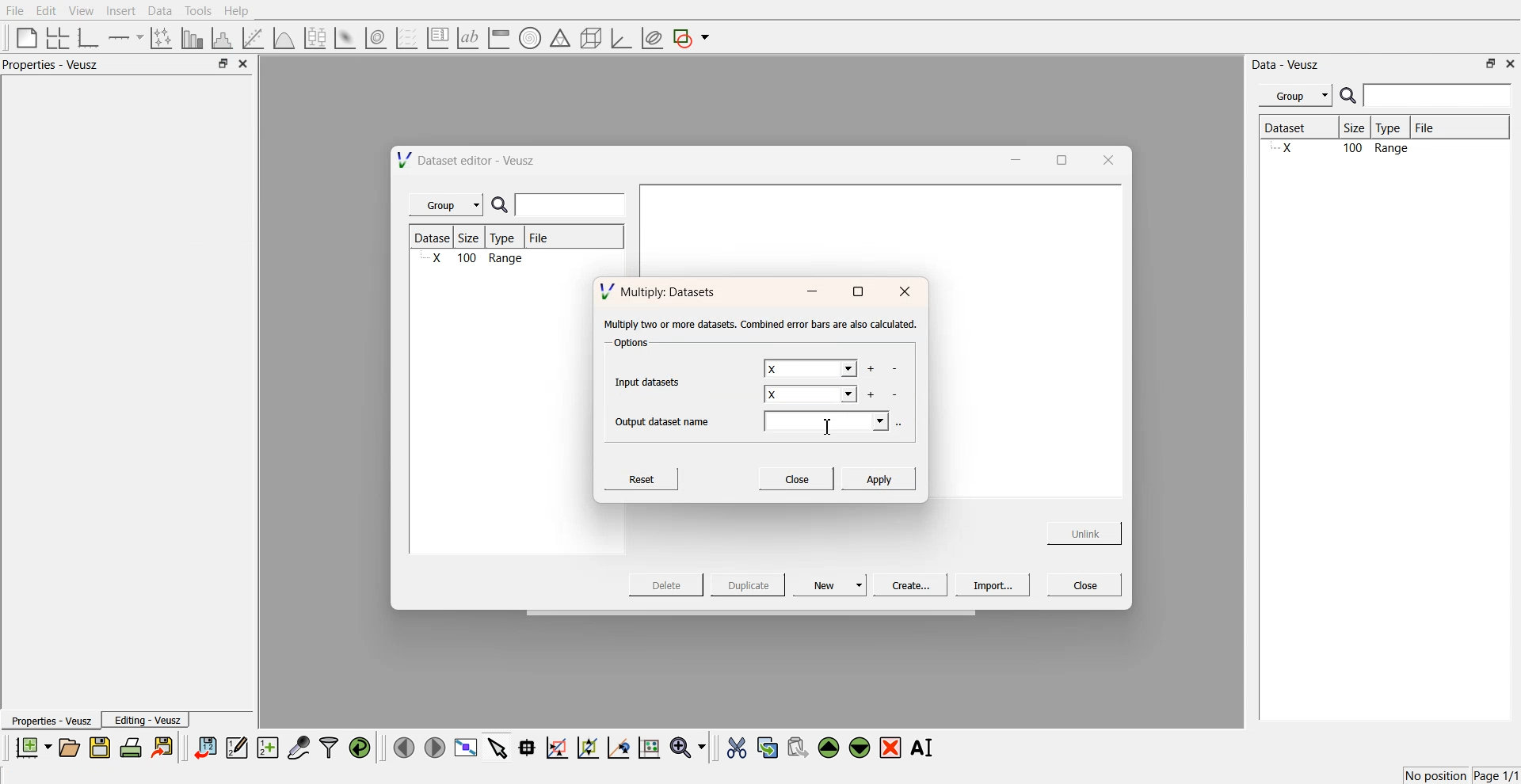 Image resolution: width=1521 pixels, height=784 pixels. I want to click on new documents, so click(32, 747).